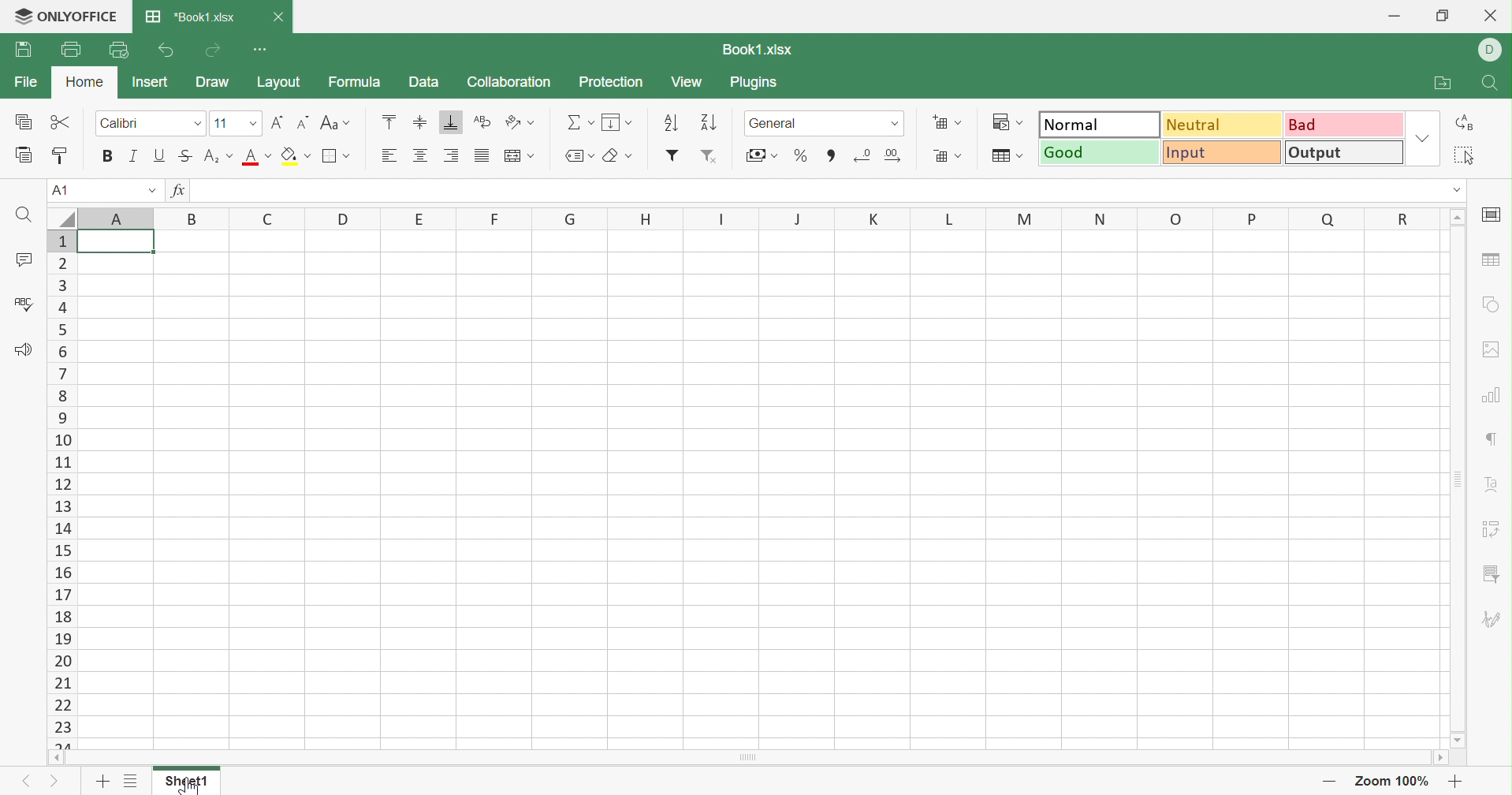 This screenshot has width=1512, height=795. Describe the element at coordinates (24, 153) in the screenshot. I see `Paste` at that location.